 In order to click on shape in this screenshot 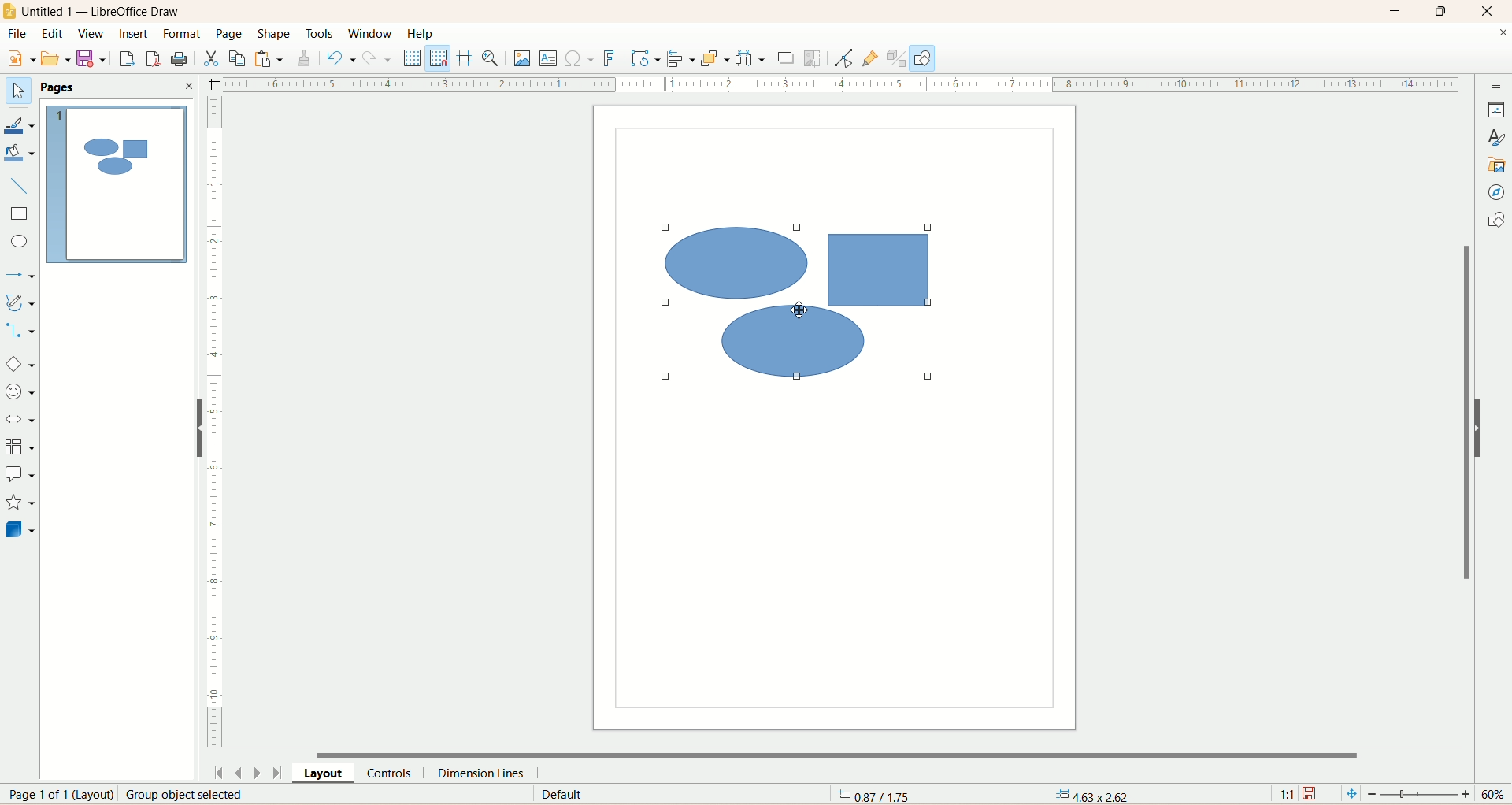, I will do `click(273, 34)`.